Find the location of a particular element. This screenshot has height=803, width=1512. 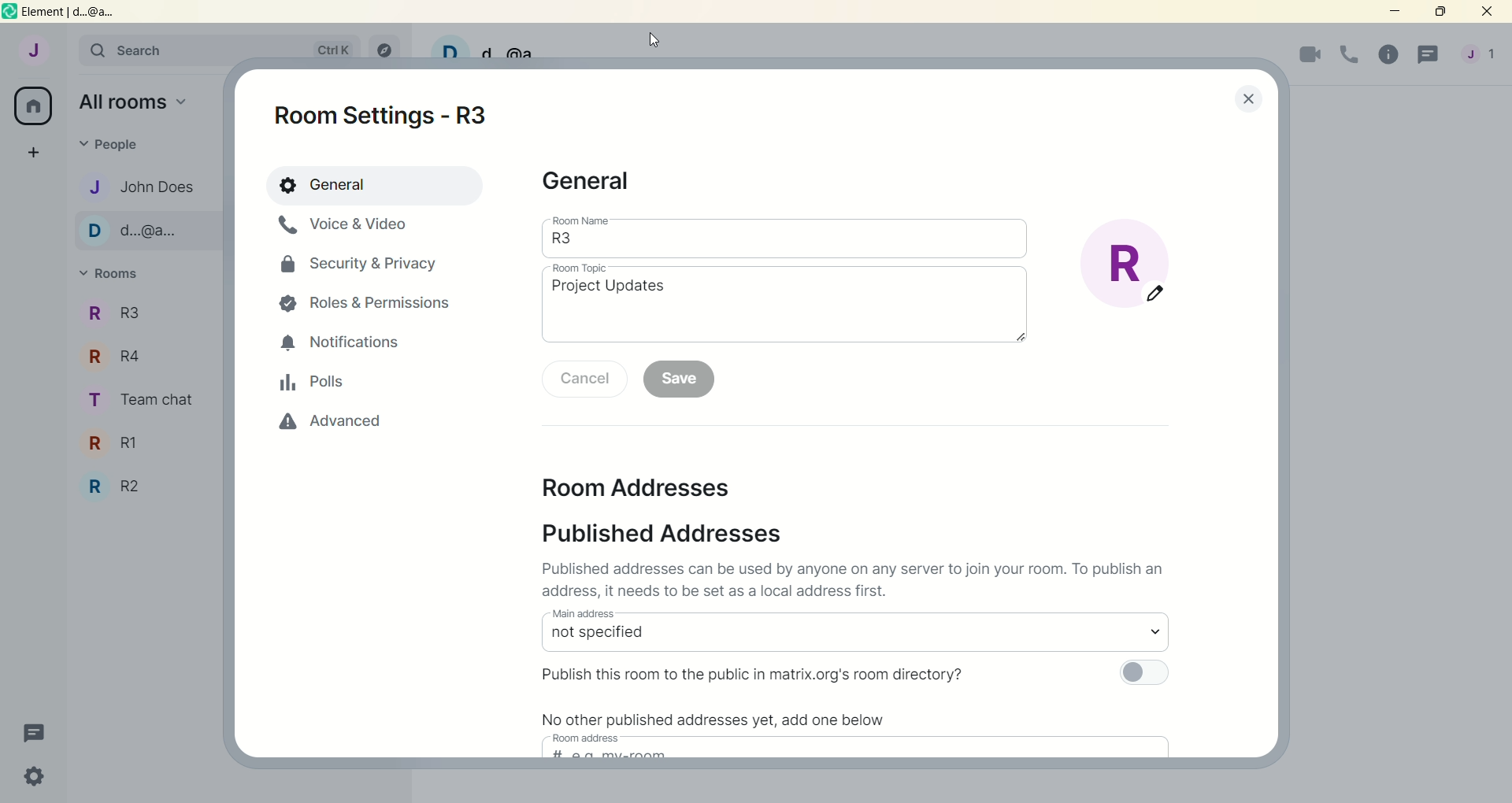

r4 is located at coordinates (143, 312).